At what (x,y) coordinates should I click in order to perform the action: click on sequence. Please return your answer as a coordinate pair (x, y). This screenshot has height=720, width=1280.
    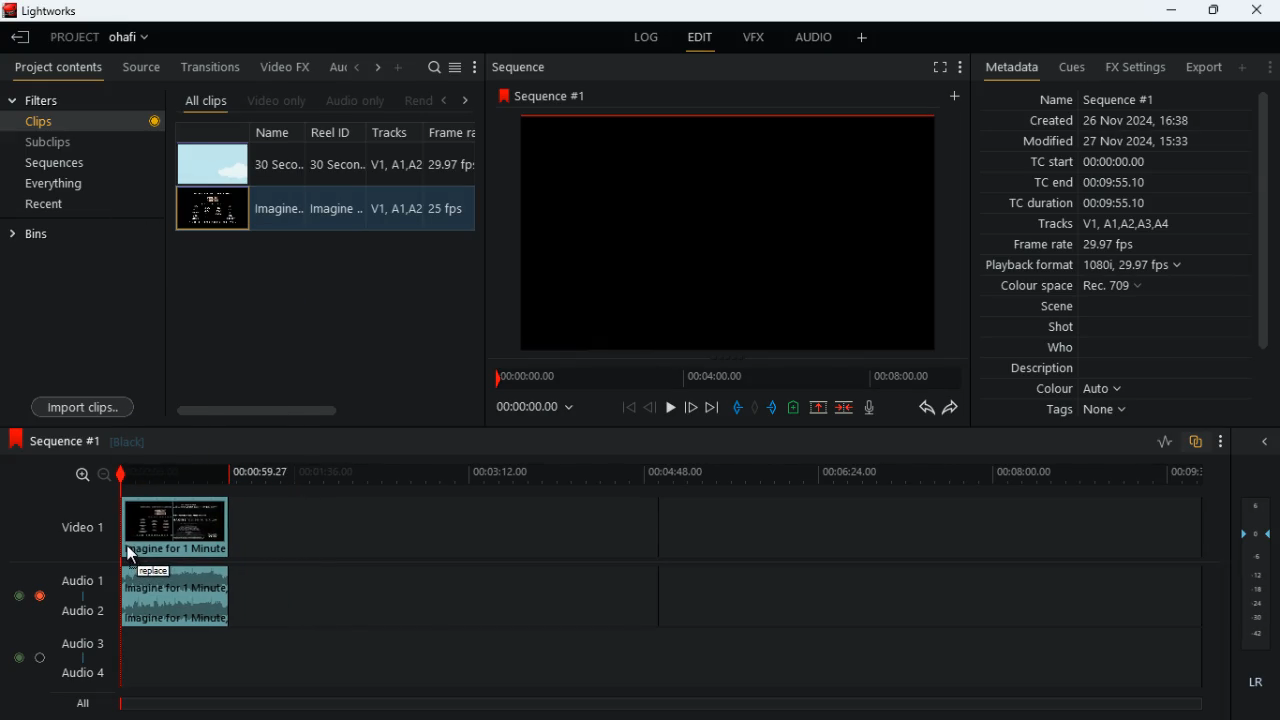
    Looking at the image, I should click on (528, 67).